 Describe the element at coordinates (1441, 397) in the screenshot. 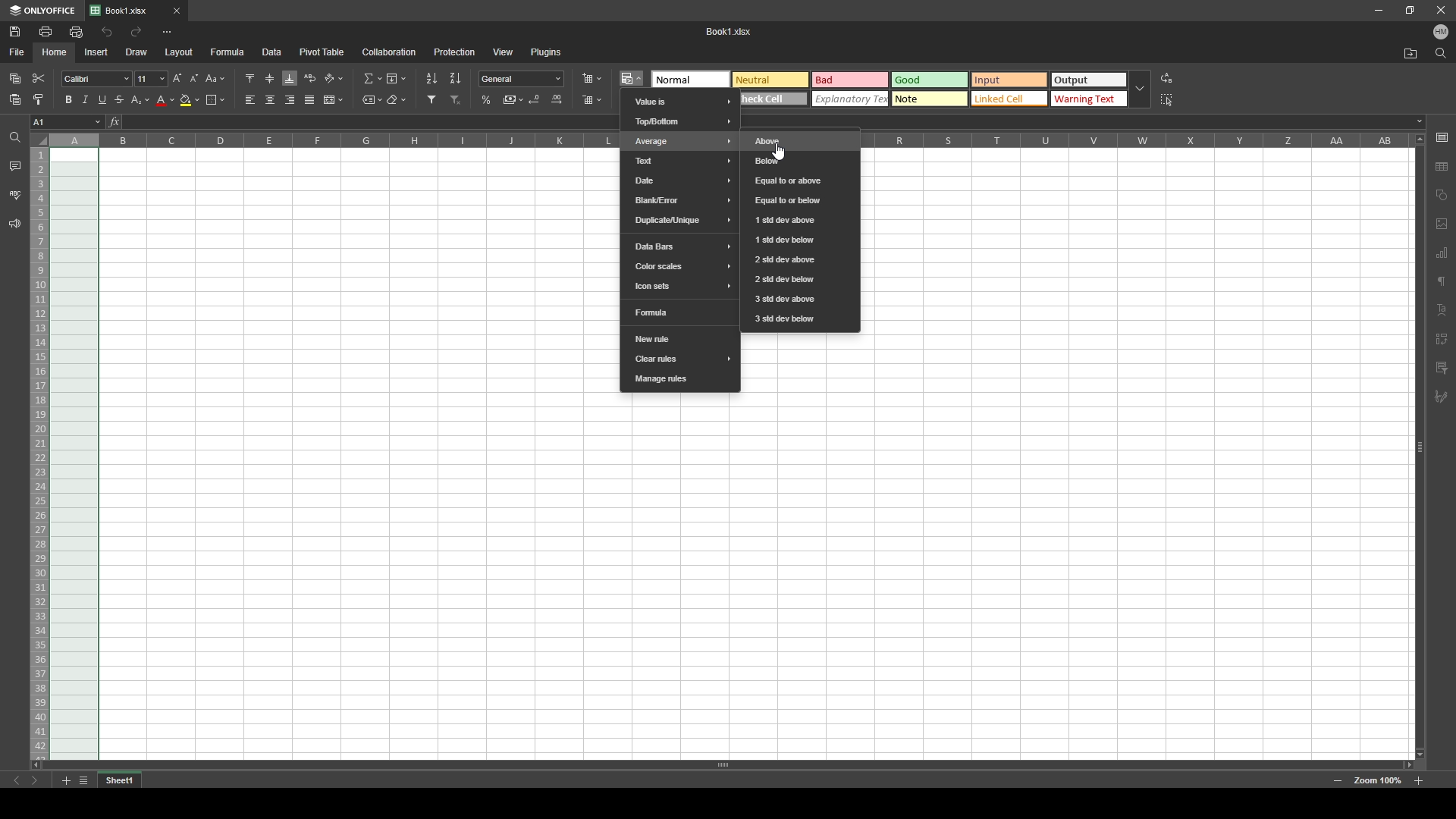

I see `pen tool` at that location.